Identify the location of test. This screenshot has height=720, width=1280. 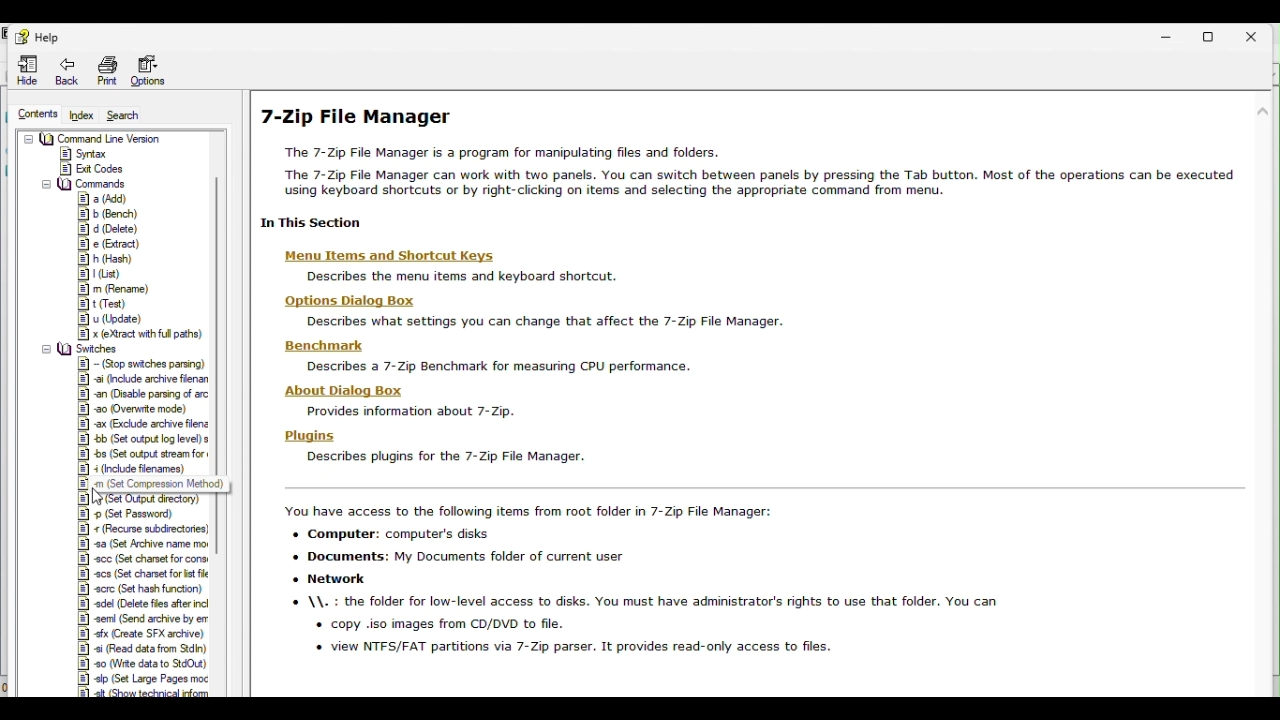
(108, 304).